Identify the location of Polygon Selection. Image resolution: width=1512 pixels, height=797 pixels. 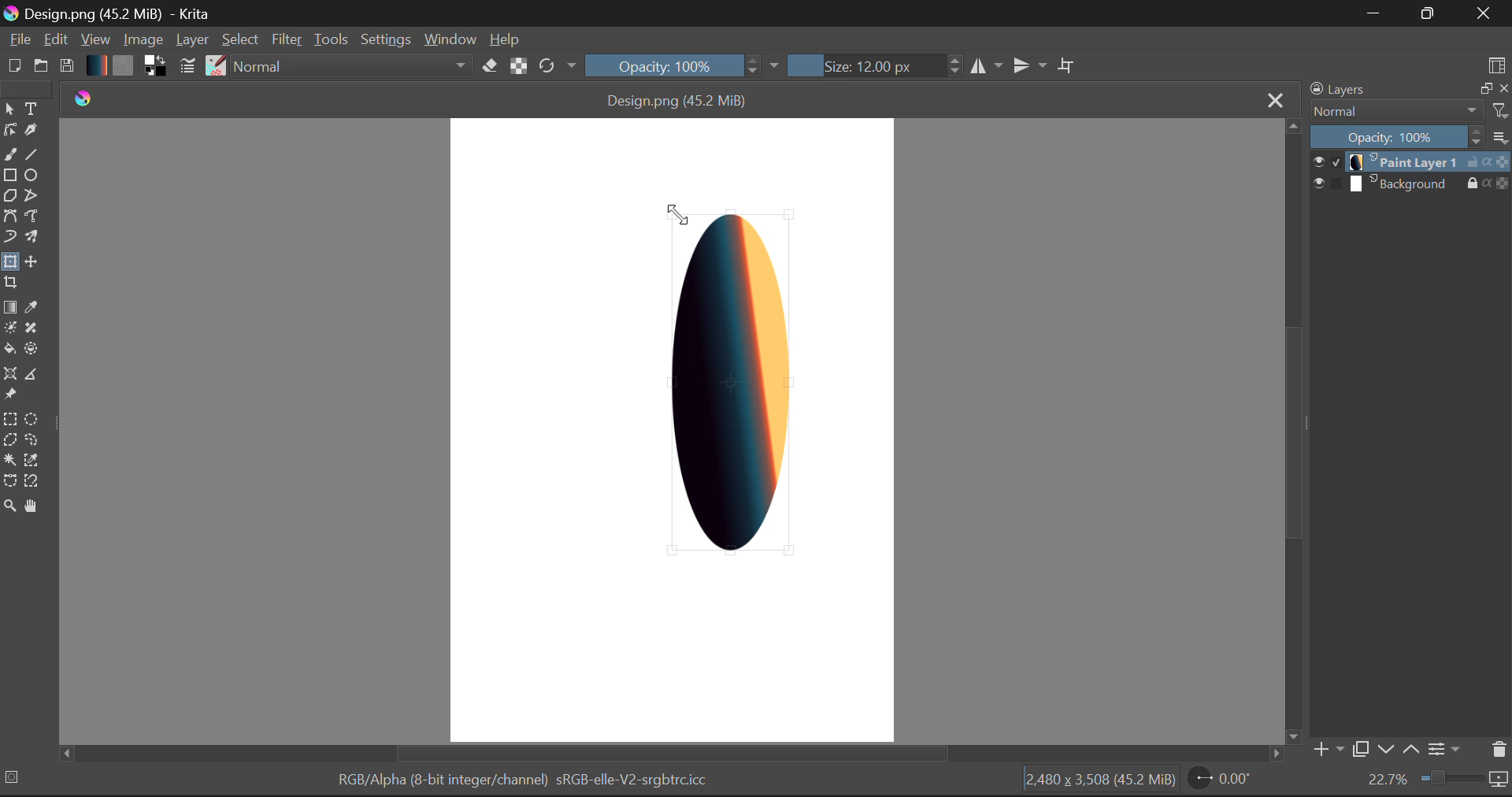
(9, 440).